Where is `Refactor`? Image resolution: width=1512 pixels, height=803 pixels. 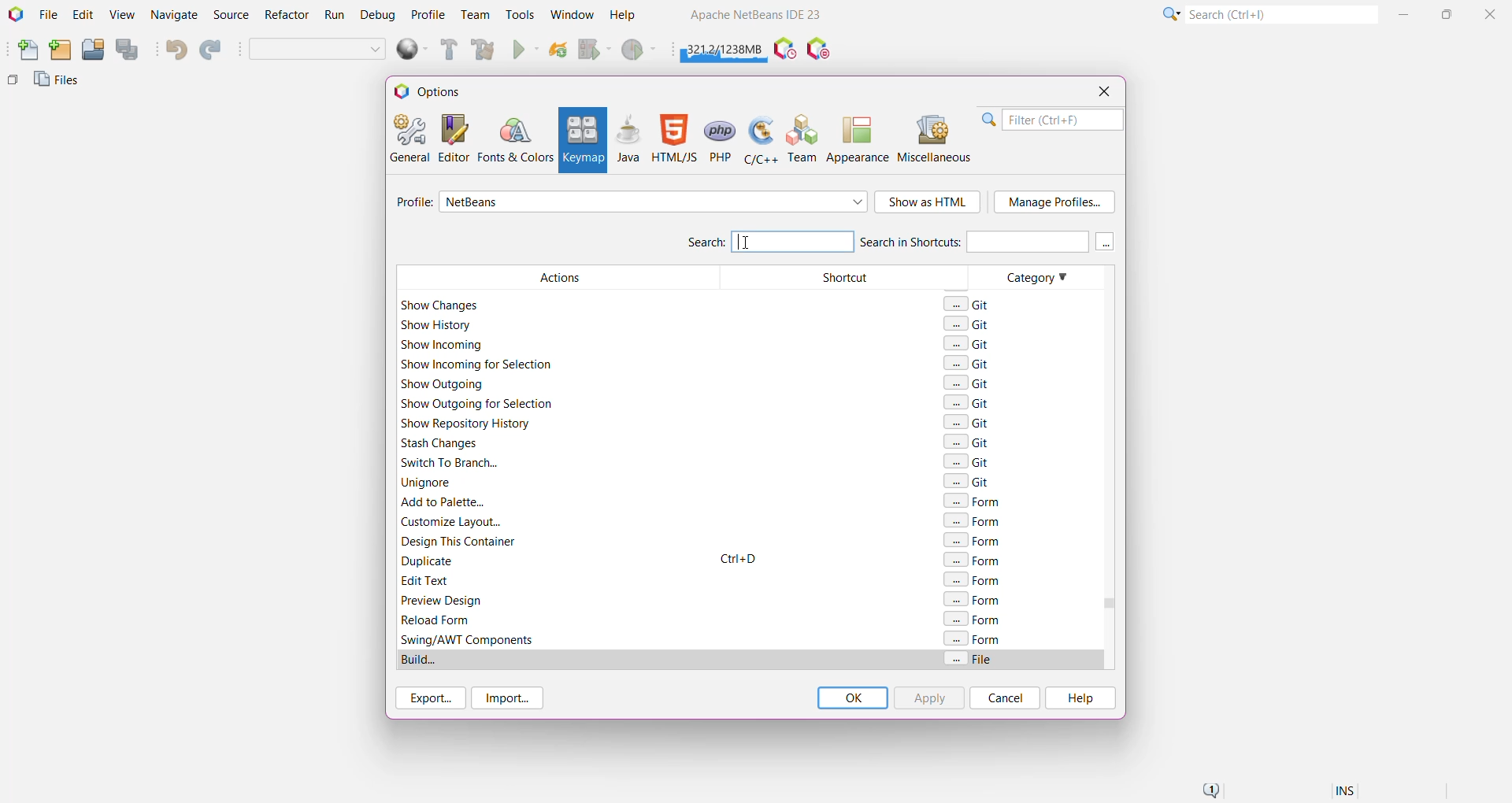 Refactor is located at coordinates (288, 17).